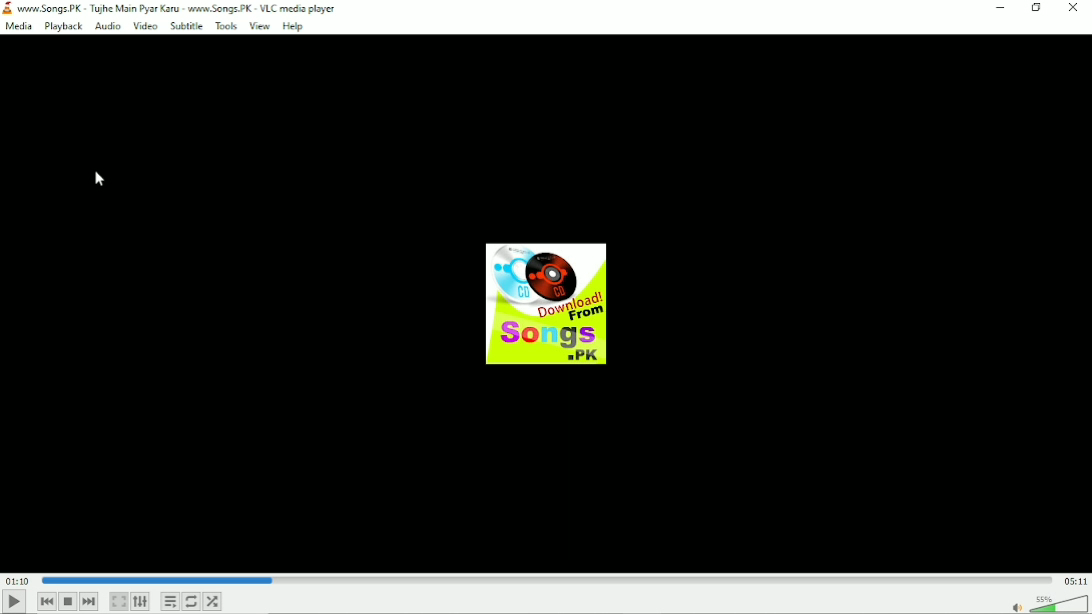 The image size is (1092, 614). Describe the element at coordinates (1002, 8) in the screenshot. I see `Minimize` at that location.